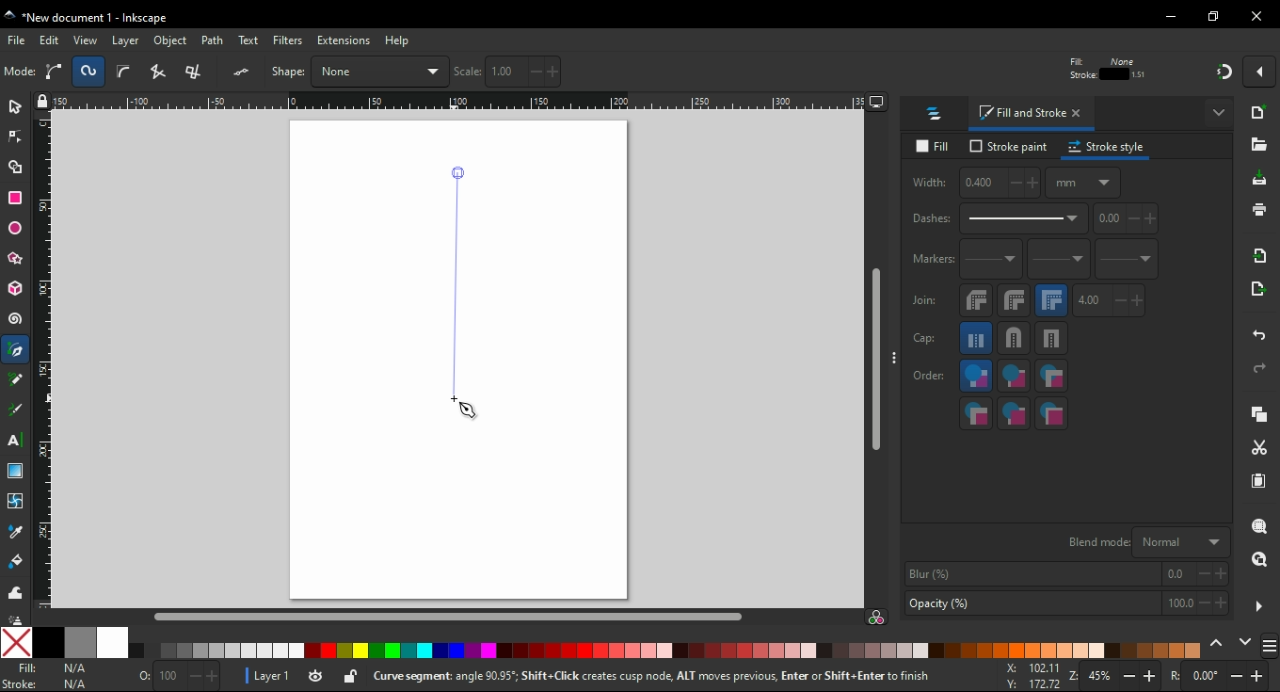 Image resolution: width=1280 pixels, height=692 pixels. What do you see at coordinates (15, 471) in the screenshot?
I see `gradient` at bounding box center [15, 471].